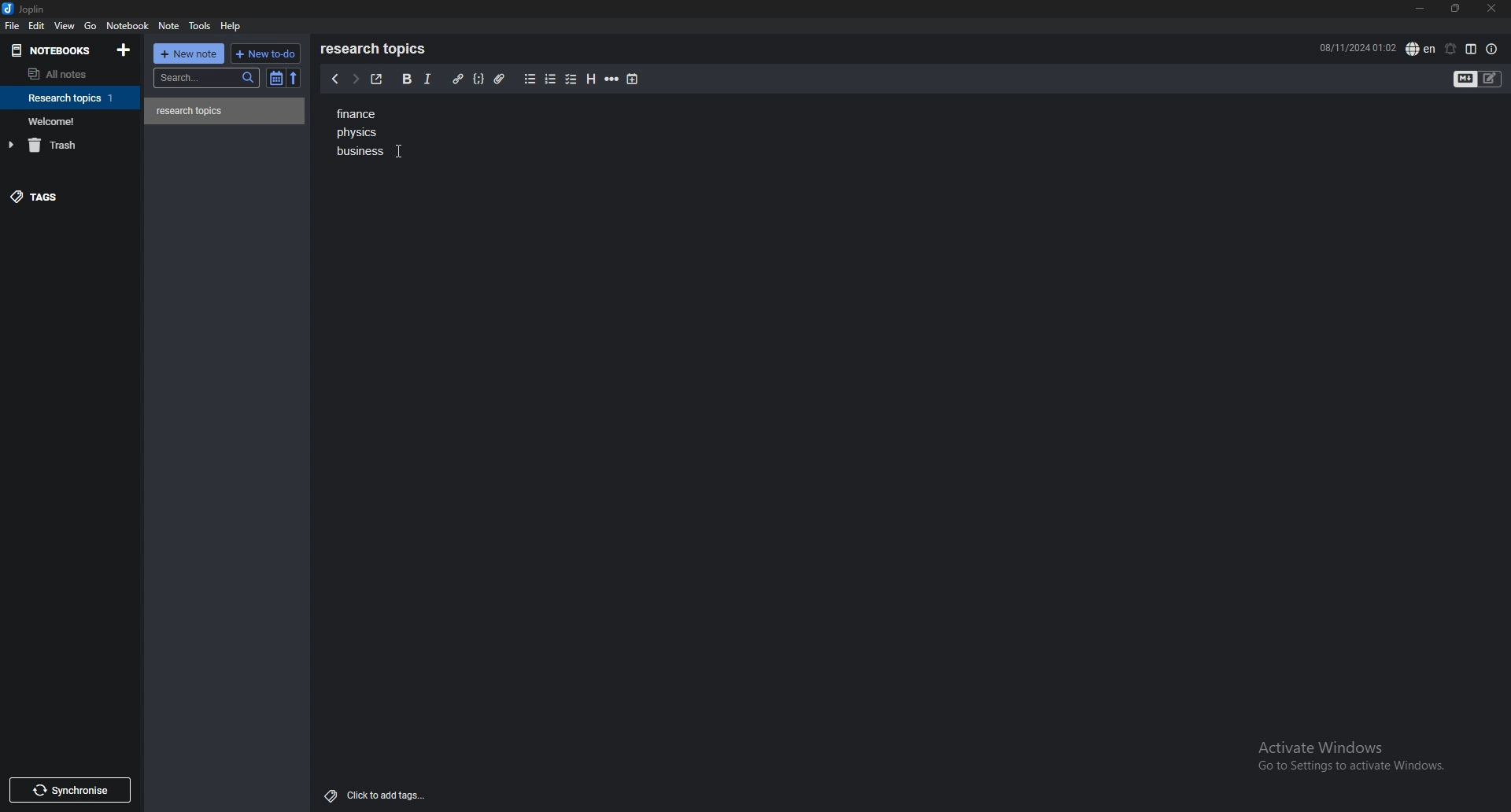 Image resolution: width=1511 pixels, height=812 pixels. I want to click on bold, so click(405, 79).